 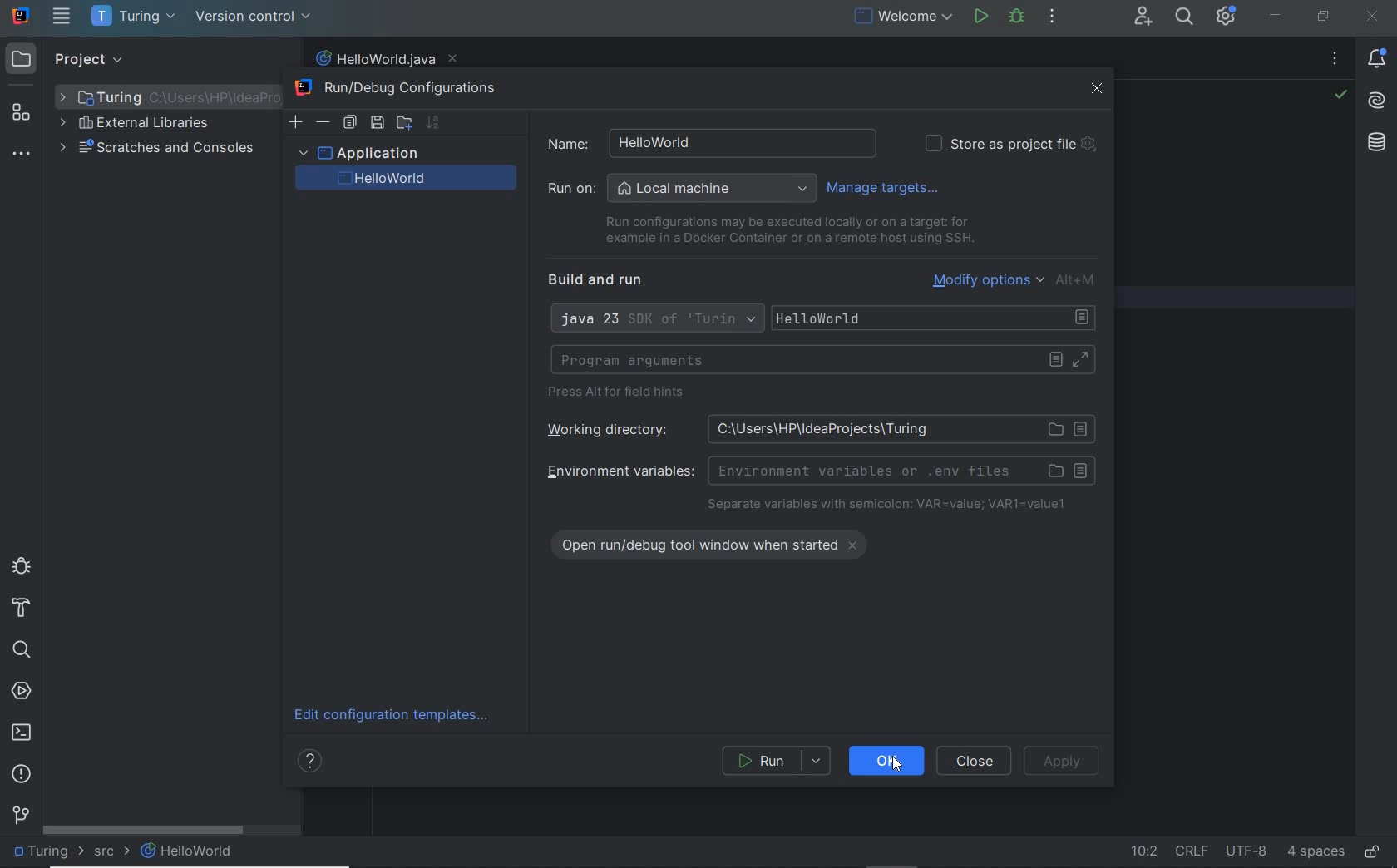 I want to click on Name, so click(x=702, y=142).